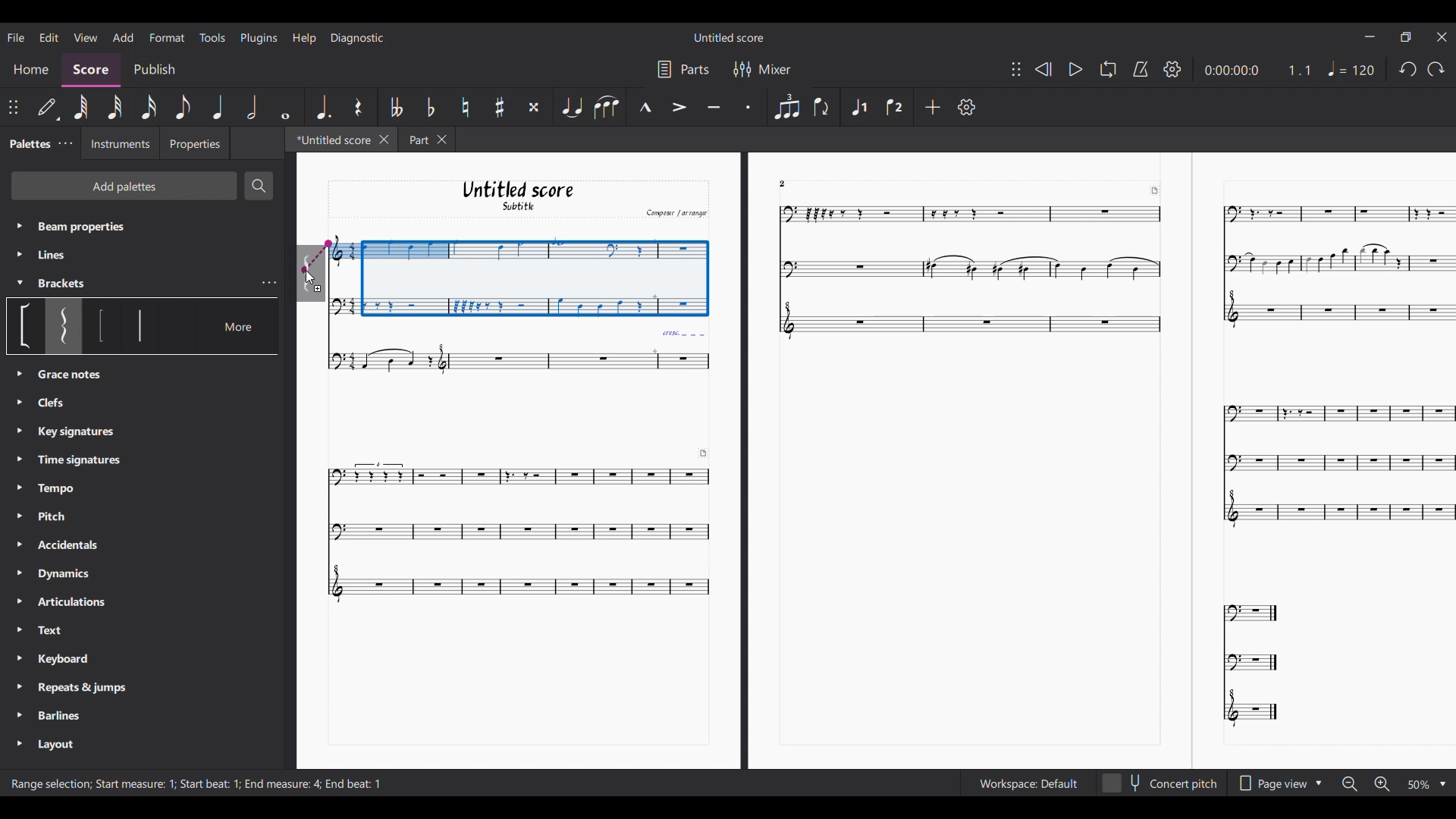 This screenshot has width=1456, height=819. I want to click on Settings, so click(1173, 69).